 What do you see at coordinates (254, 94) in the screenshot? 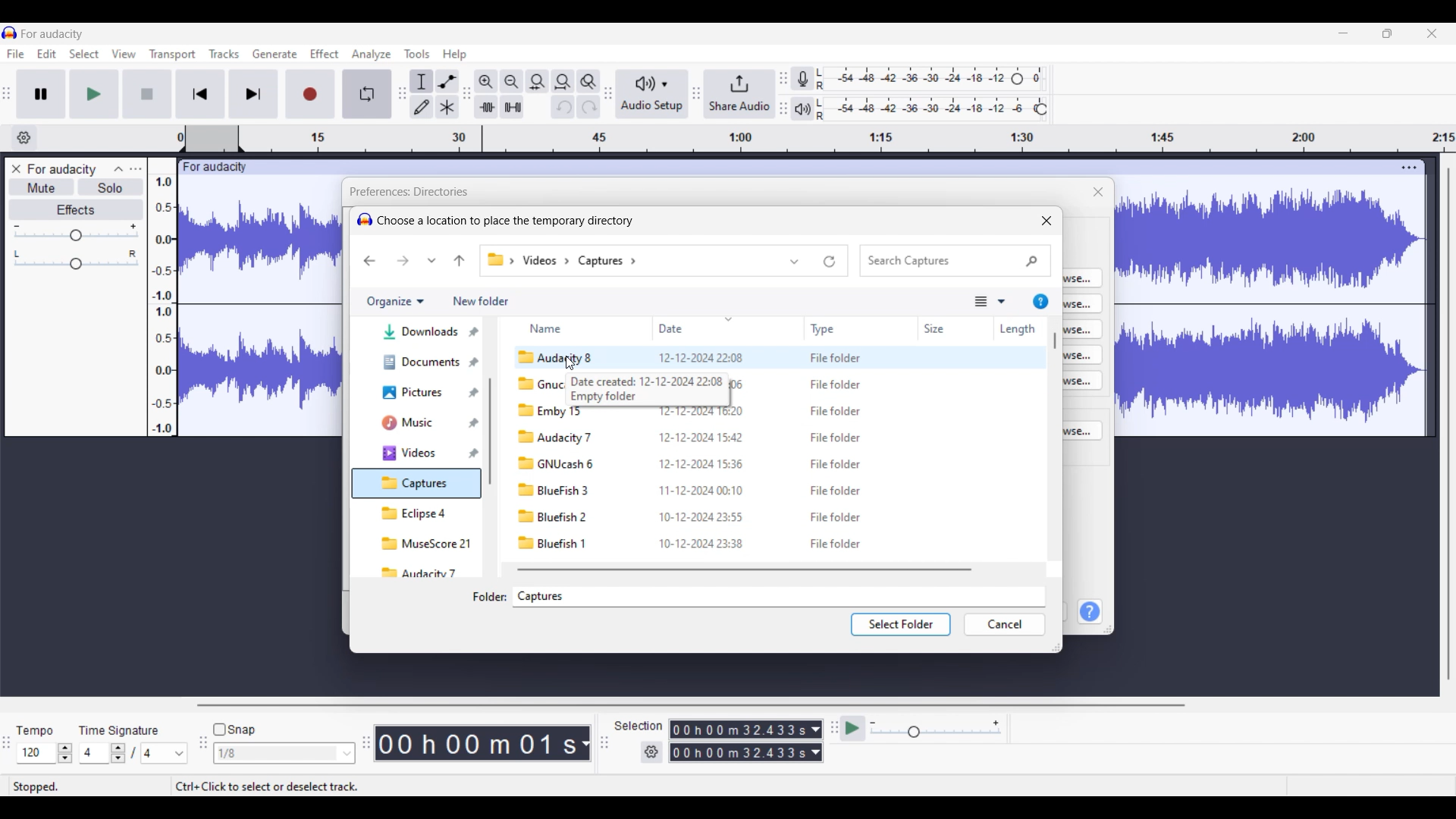
I see `Skip/Select to end` at bounding box center [254, 94].